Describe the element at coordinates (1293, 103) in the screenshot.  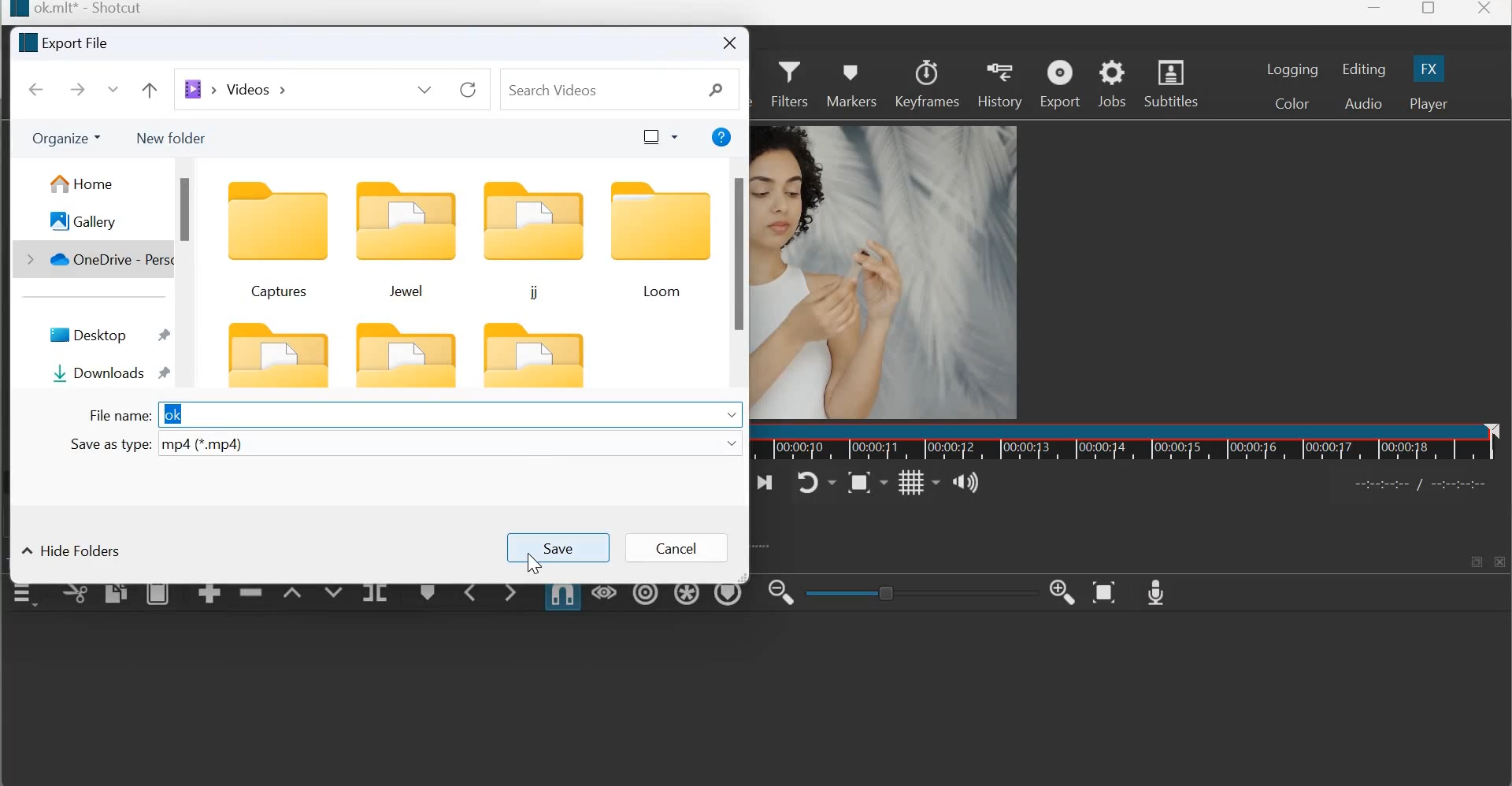
I see `Color` at that location.